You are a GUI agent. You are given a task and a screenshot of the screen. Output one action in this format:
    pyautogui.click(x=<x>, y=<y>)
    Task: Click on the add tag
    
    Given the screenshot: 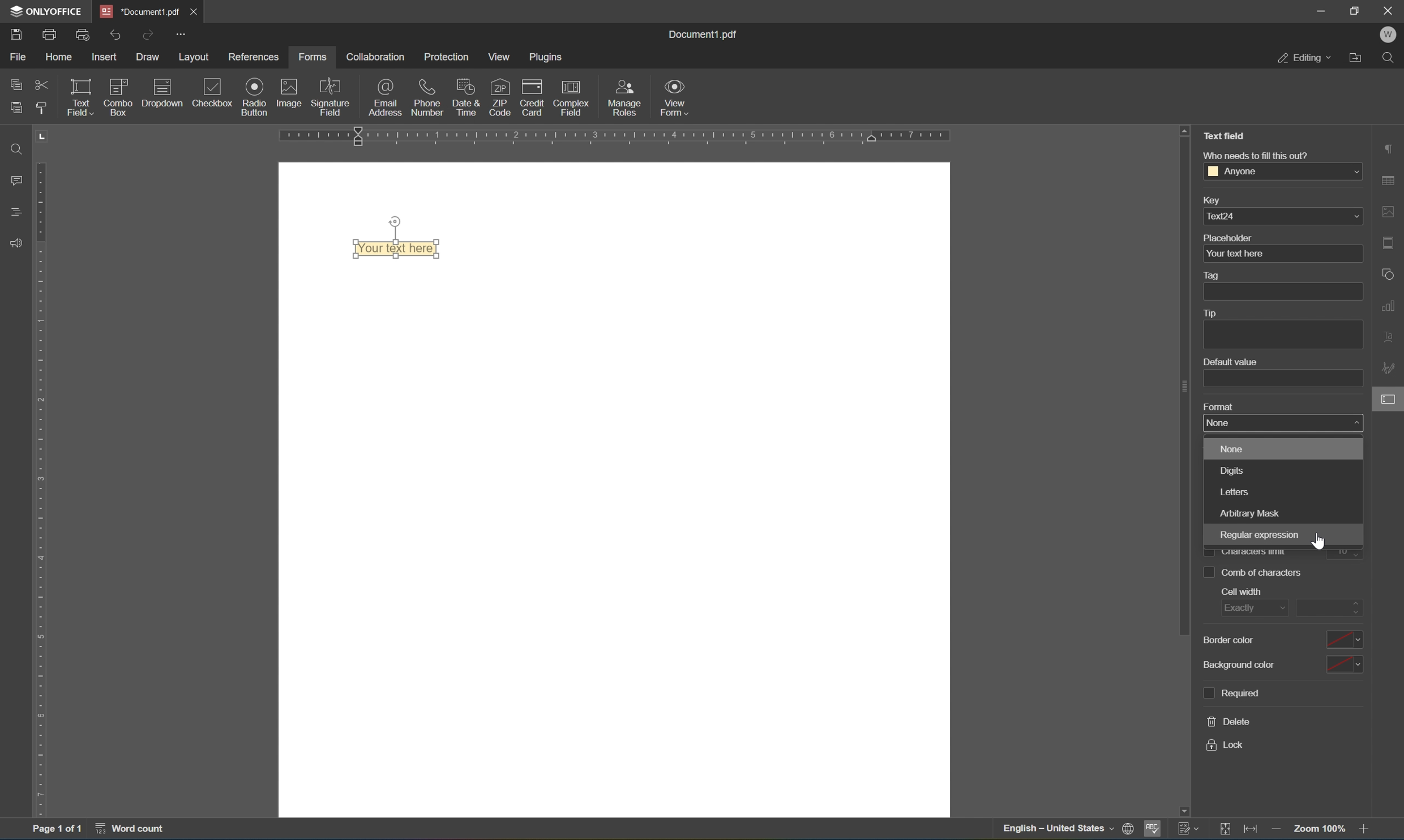 What is the action you would take?
    pyautogui.click(x=1282, y=292)
    